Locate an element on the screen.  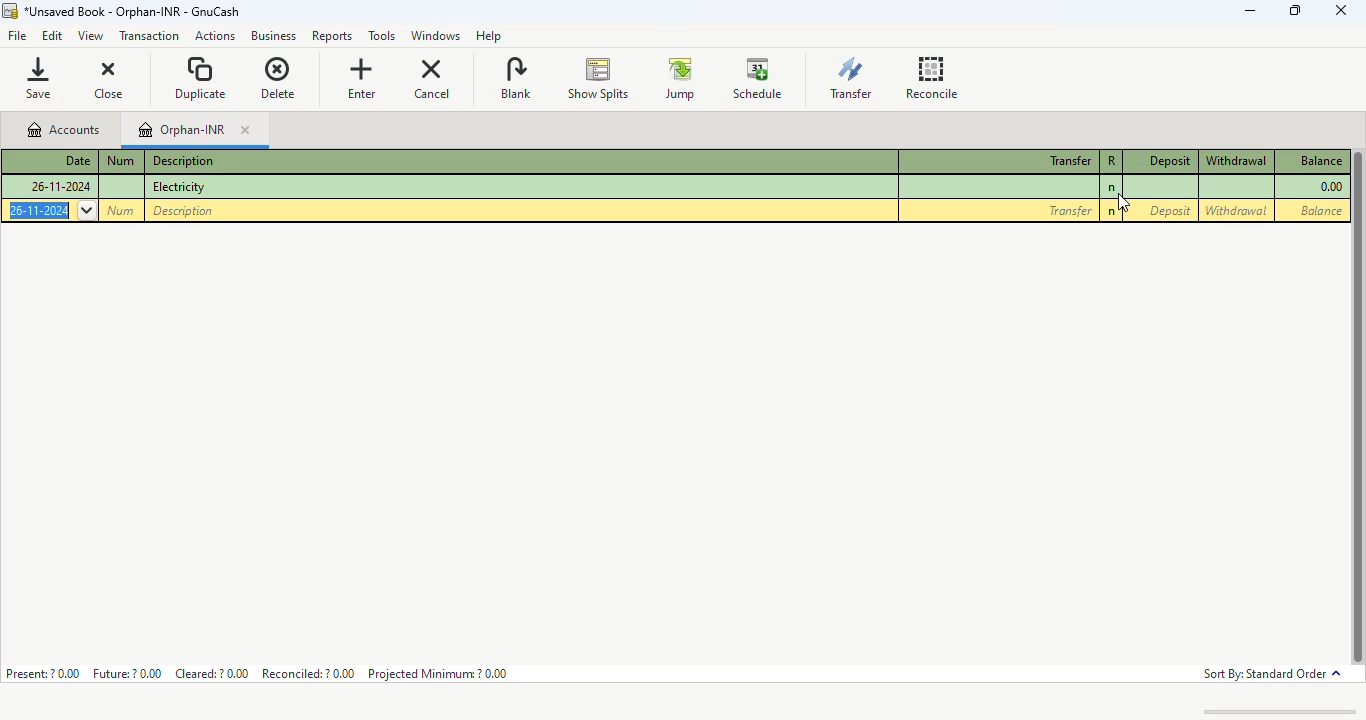
cursor is located at coordinates (1127, 204).